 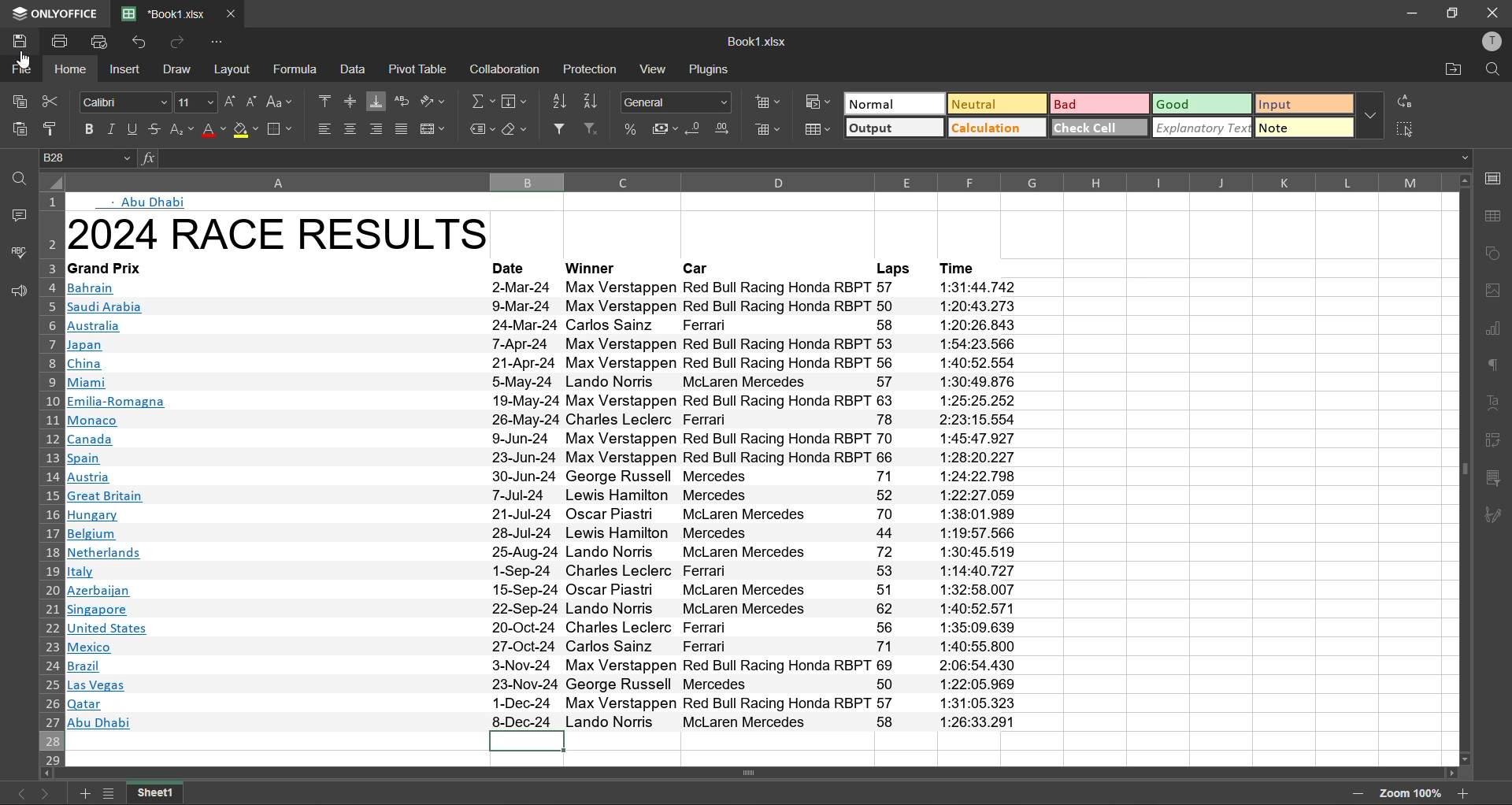 What do you see at coordinates (1369, 115) in the screenshot?
I see `more options` at bounding box center [1369, 115].